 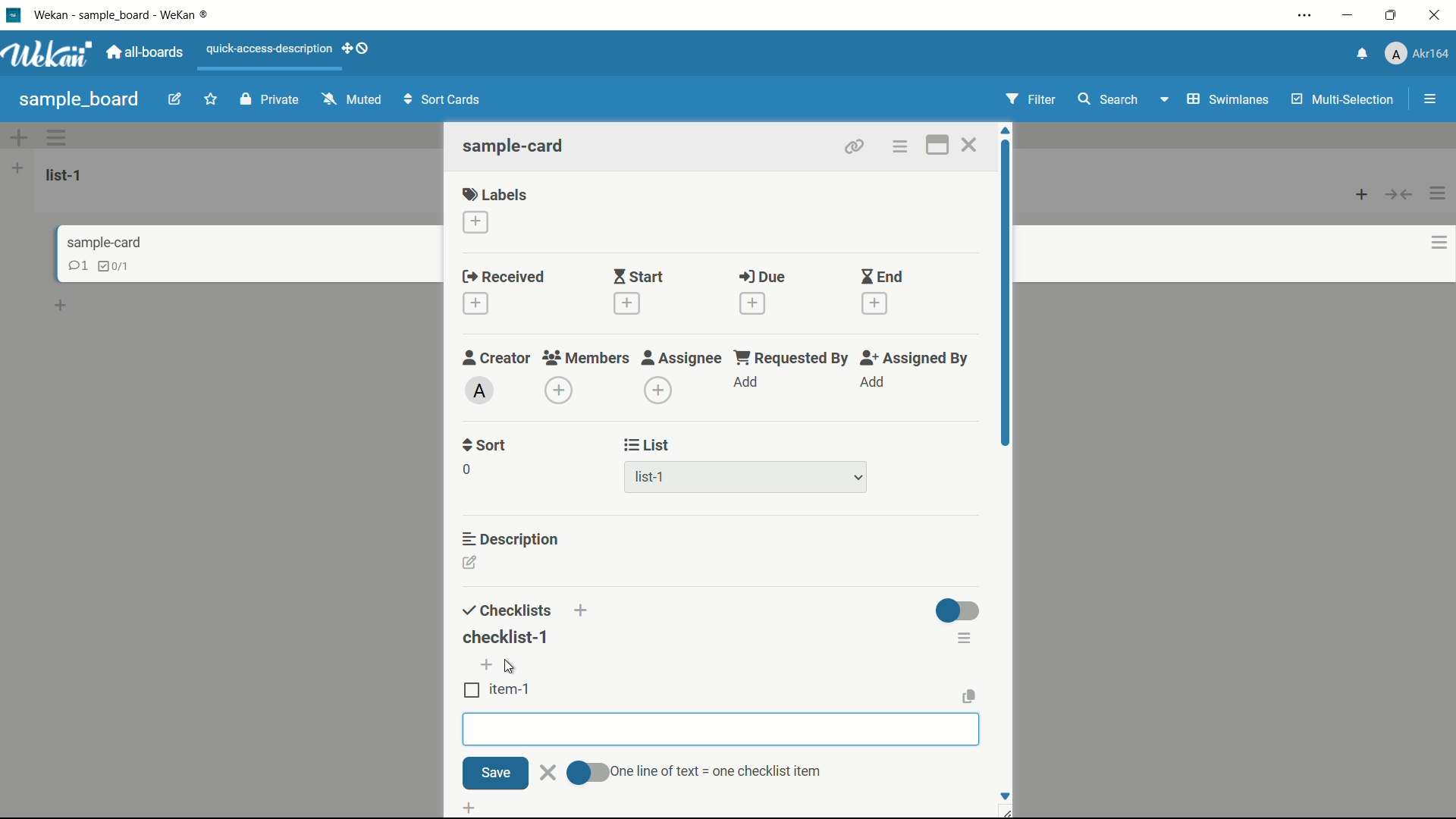 What do you see at coordinates (1349, 16) in the screenshot?
I see `minimize` at bounding box center [1349, 16].